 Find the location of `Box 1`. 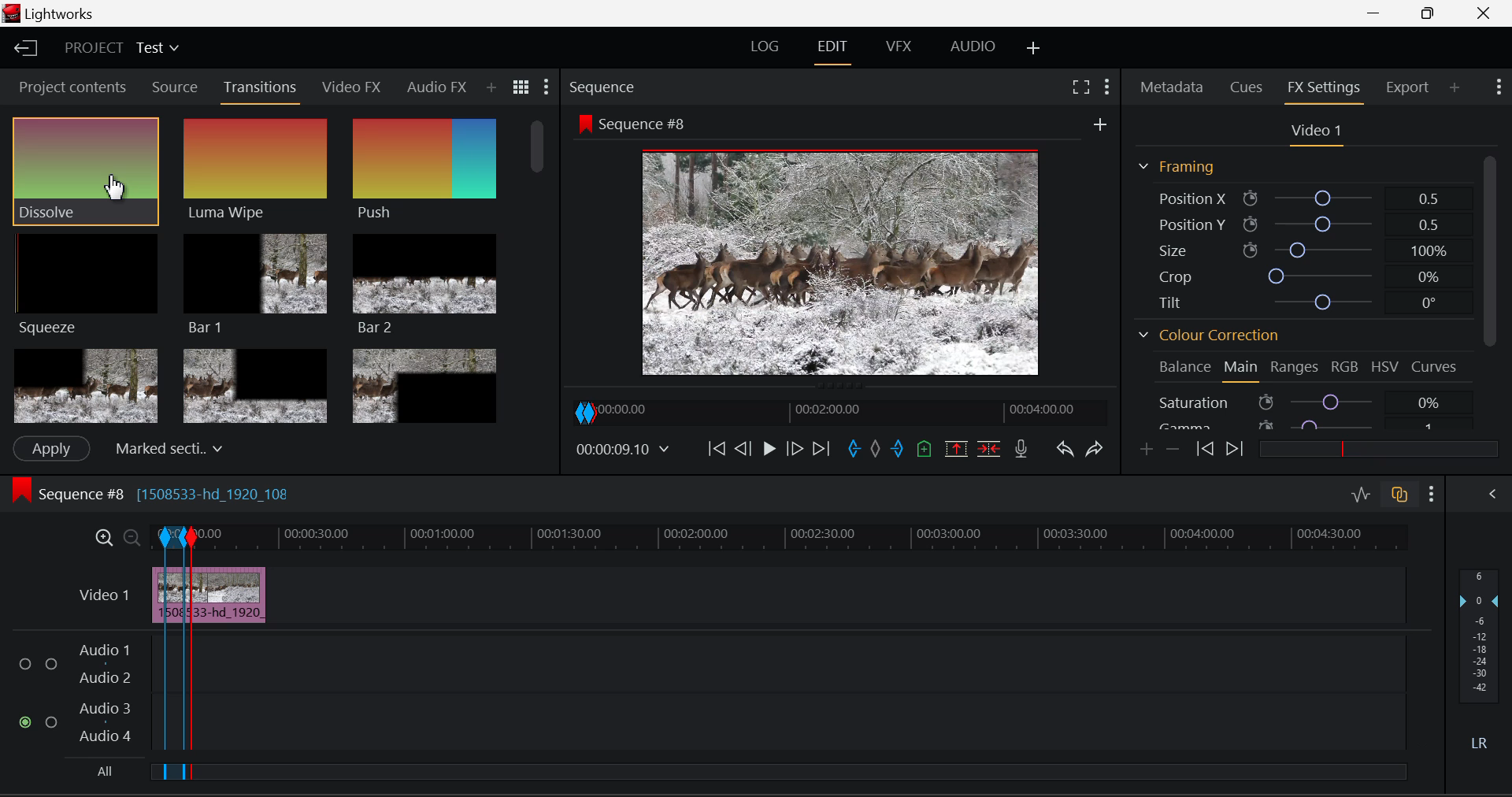

Box 1 is located at coordinates (84, 387).